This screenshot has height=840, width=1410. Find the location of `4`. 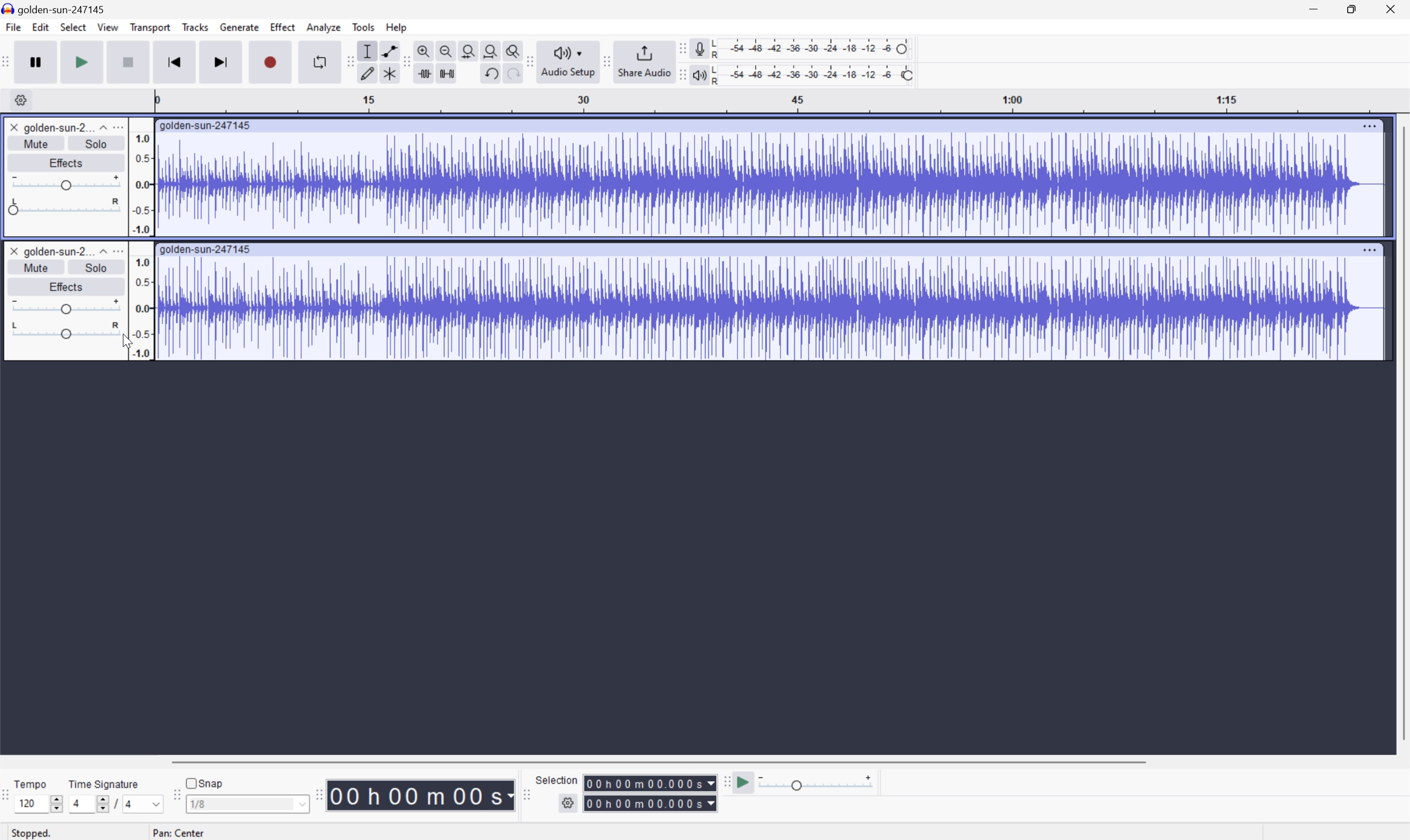

4 is located at coordinates (133, 804).